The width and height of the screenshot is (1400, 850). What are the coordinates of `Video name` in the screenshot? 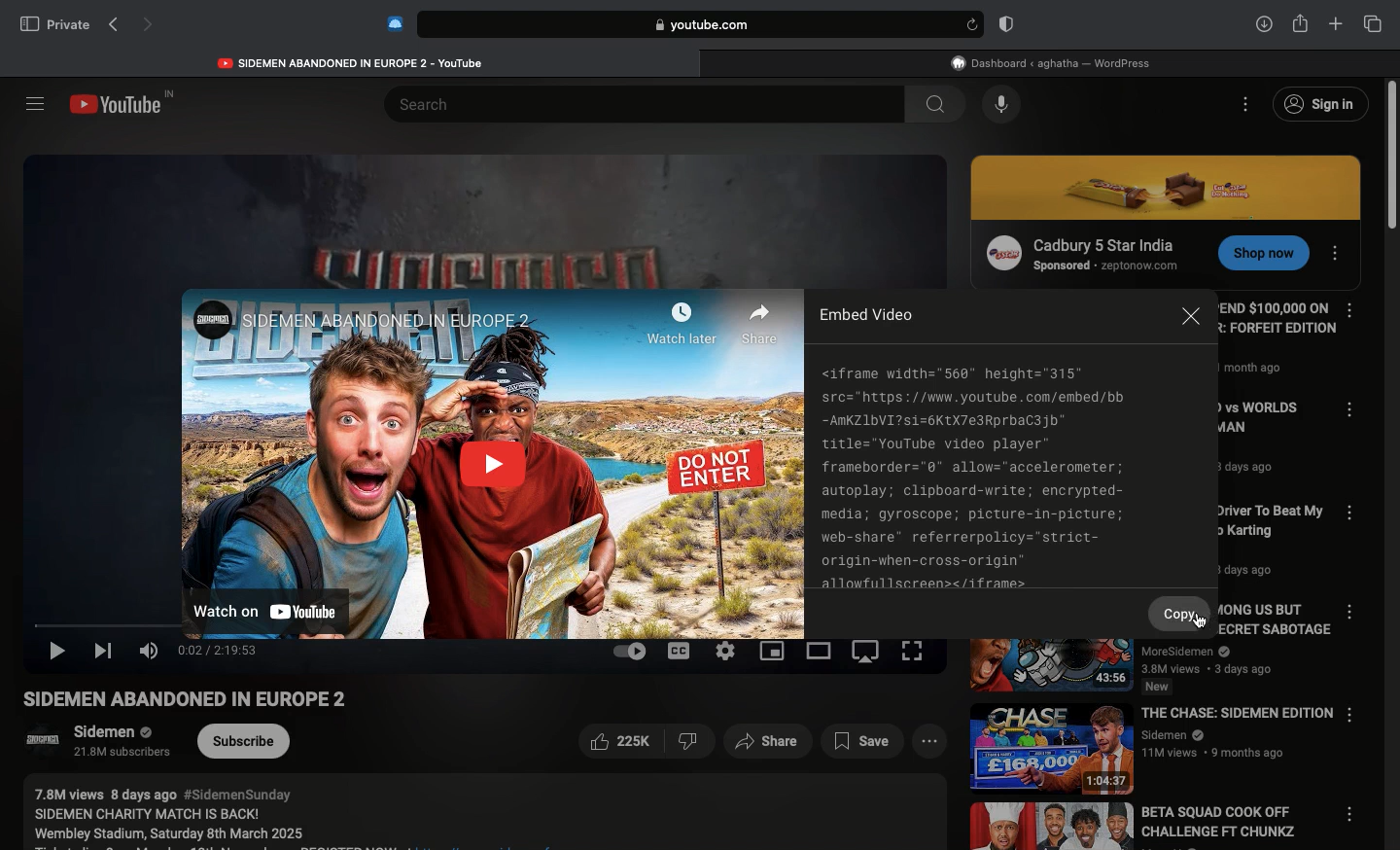 It's located at (1268, 445).